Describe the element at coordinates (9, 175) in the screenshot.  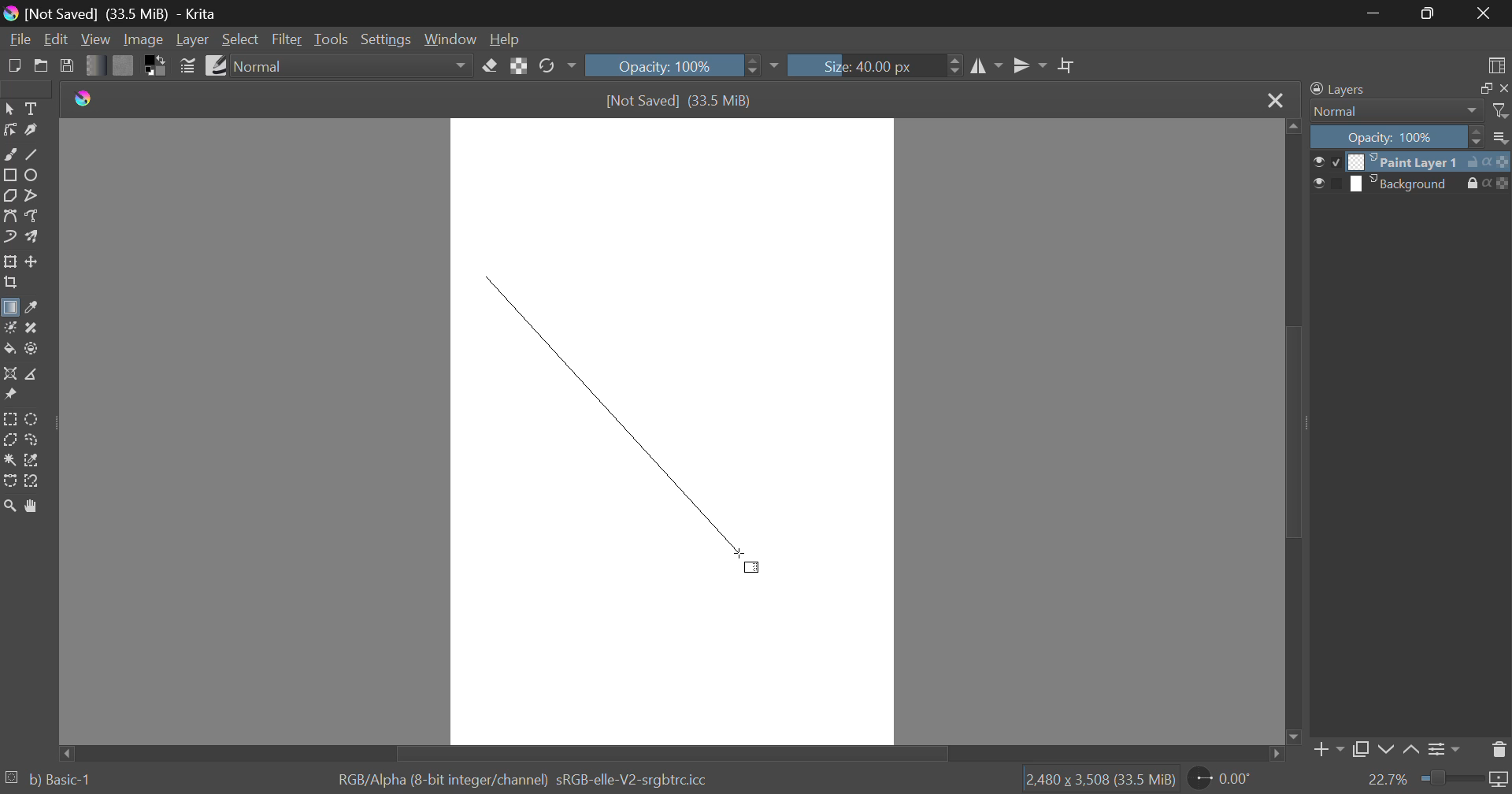
I see `Rectangle` at that location.